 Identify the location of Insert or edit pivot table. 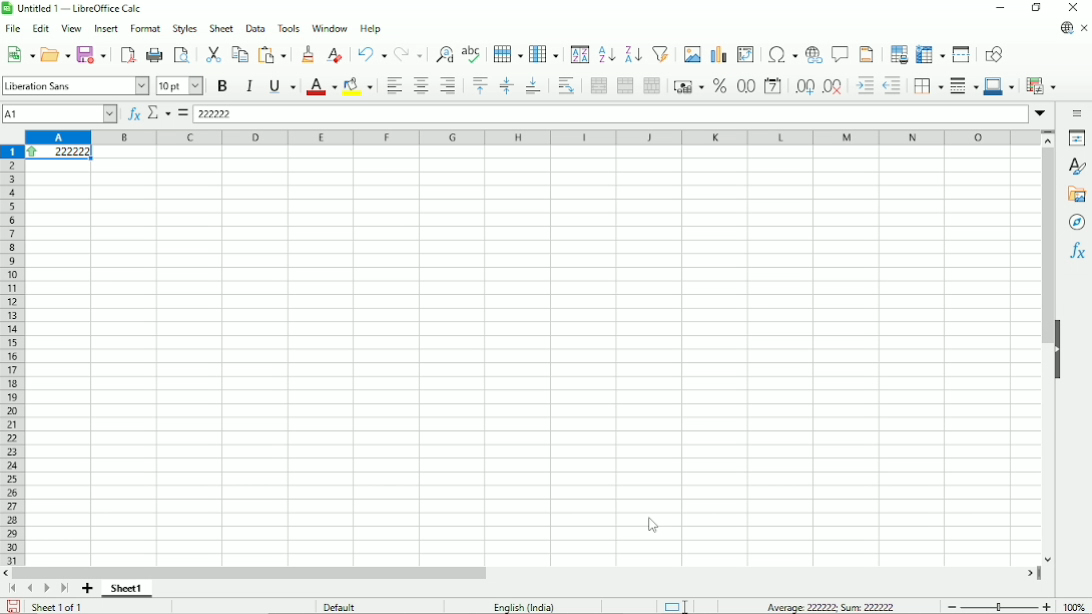
(745, 53).